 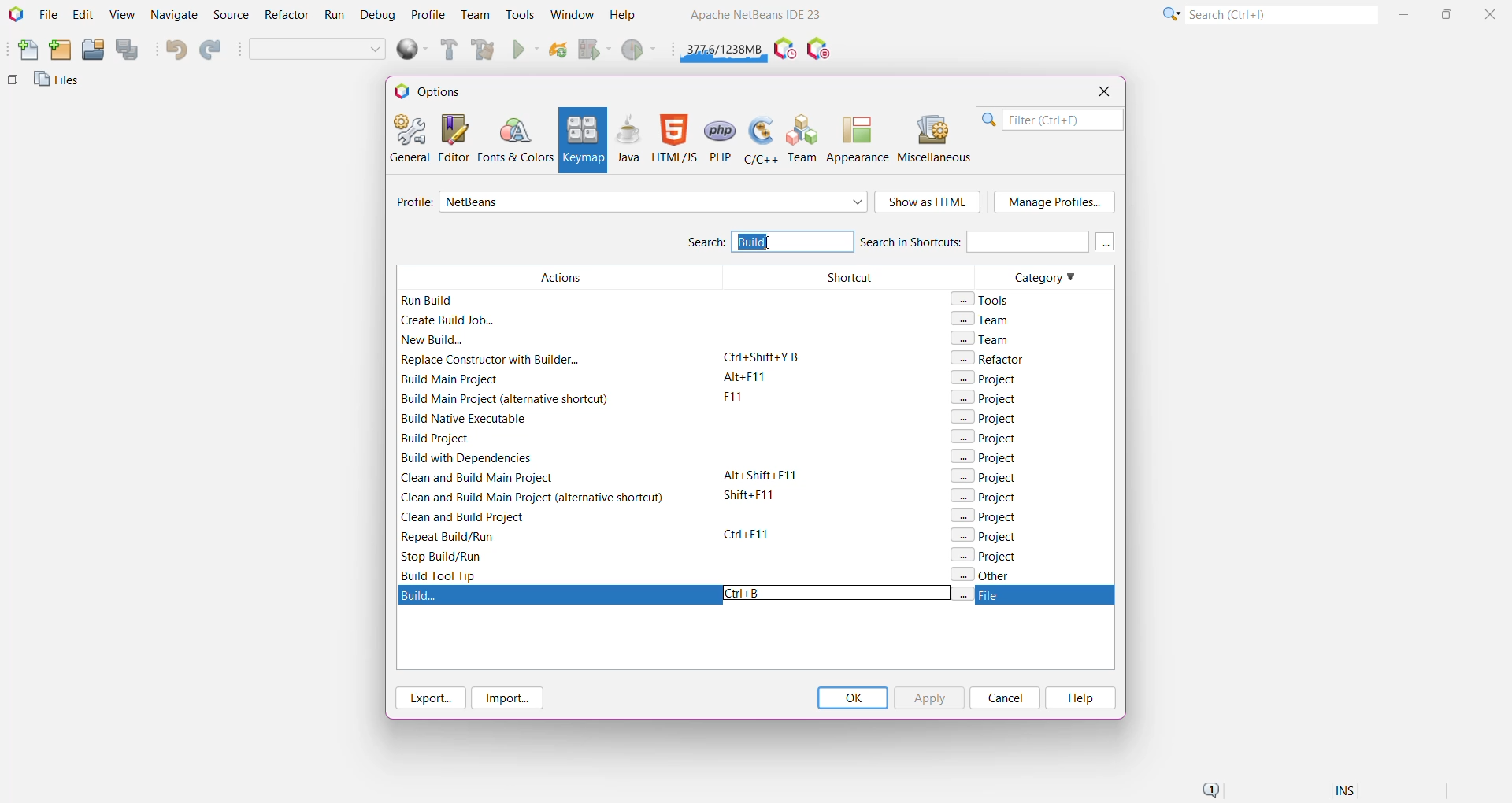 What do you see at coordinates (128, 50) in the screenshot?
I see `Save All` at bounding box center [128, 50].